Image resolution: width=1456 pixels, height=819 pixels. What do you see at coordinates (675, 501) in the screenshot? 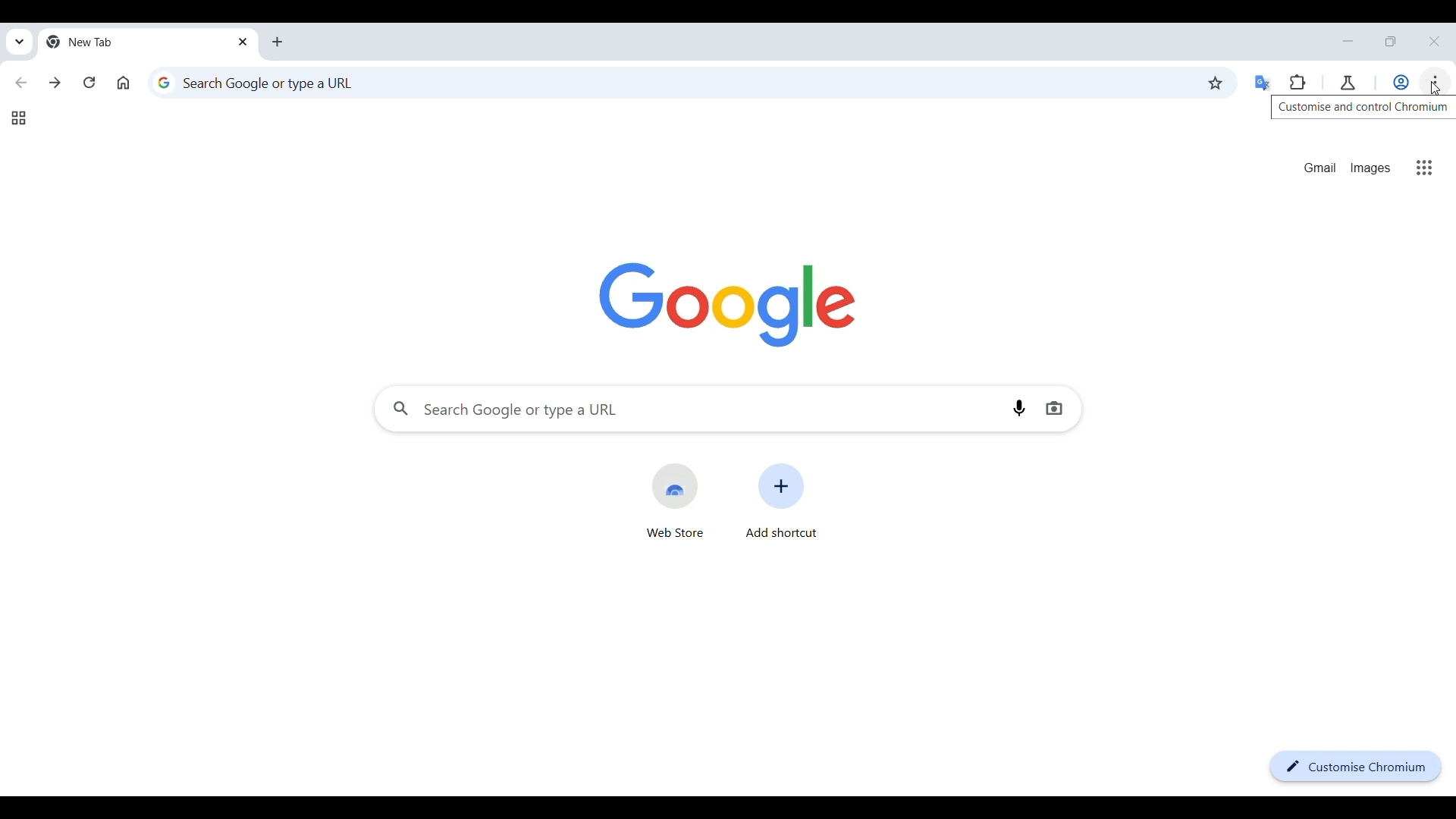
I see `Web store` at bounding box center [675, 501].